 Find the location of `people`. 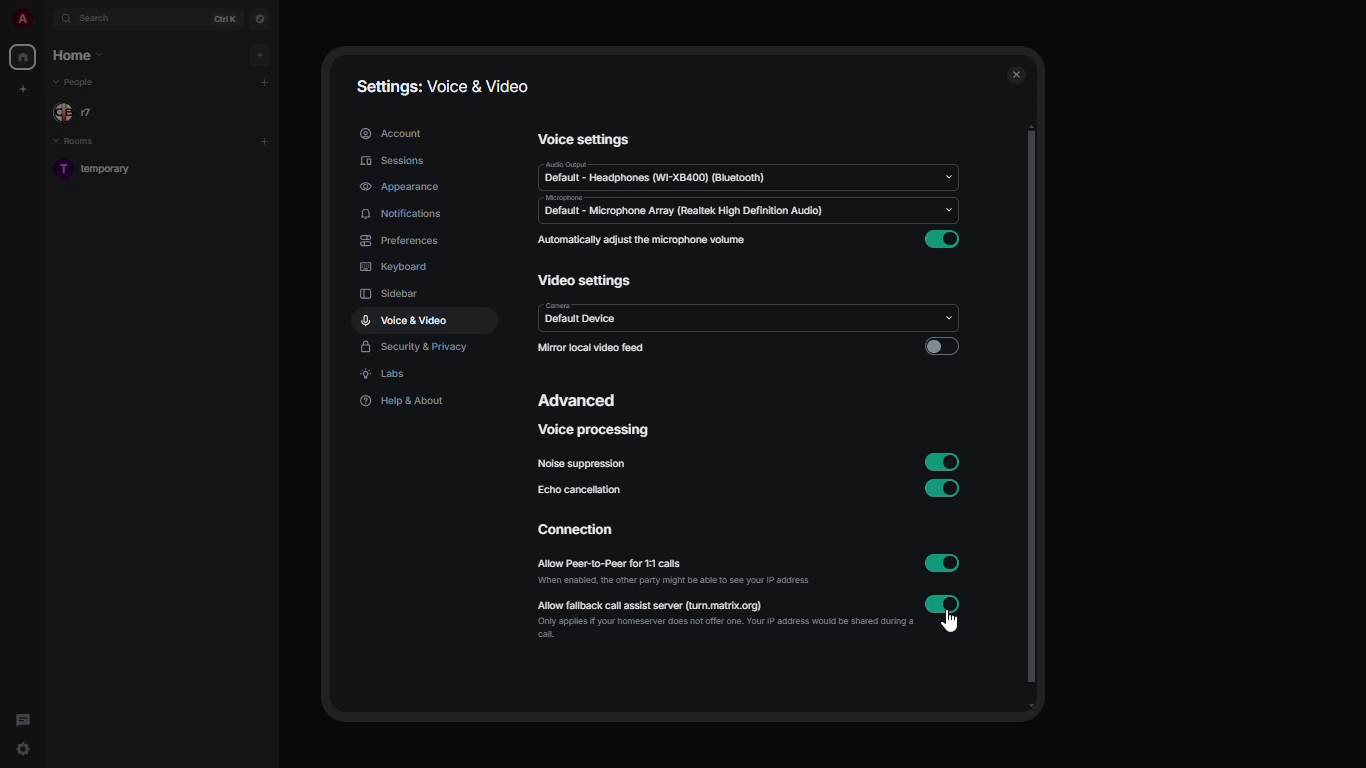

people is located at coordinates (77, 84).